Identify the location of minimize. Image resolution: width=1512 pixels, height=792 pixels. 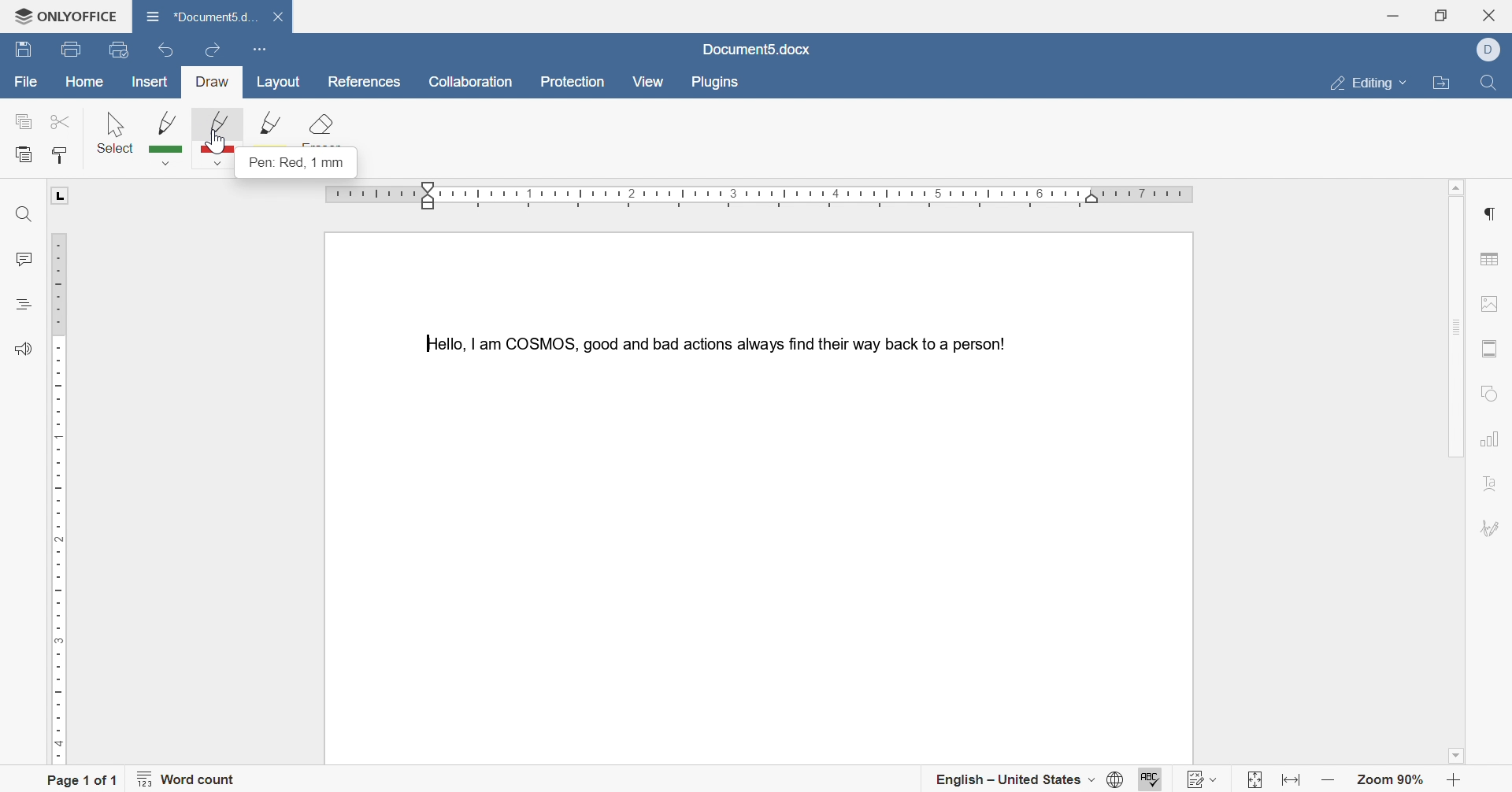
(1392, 13).